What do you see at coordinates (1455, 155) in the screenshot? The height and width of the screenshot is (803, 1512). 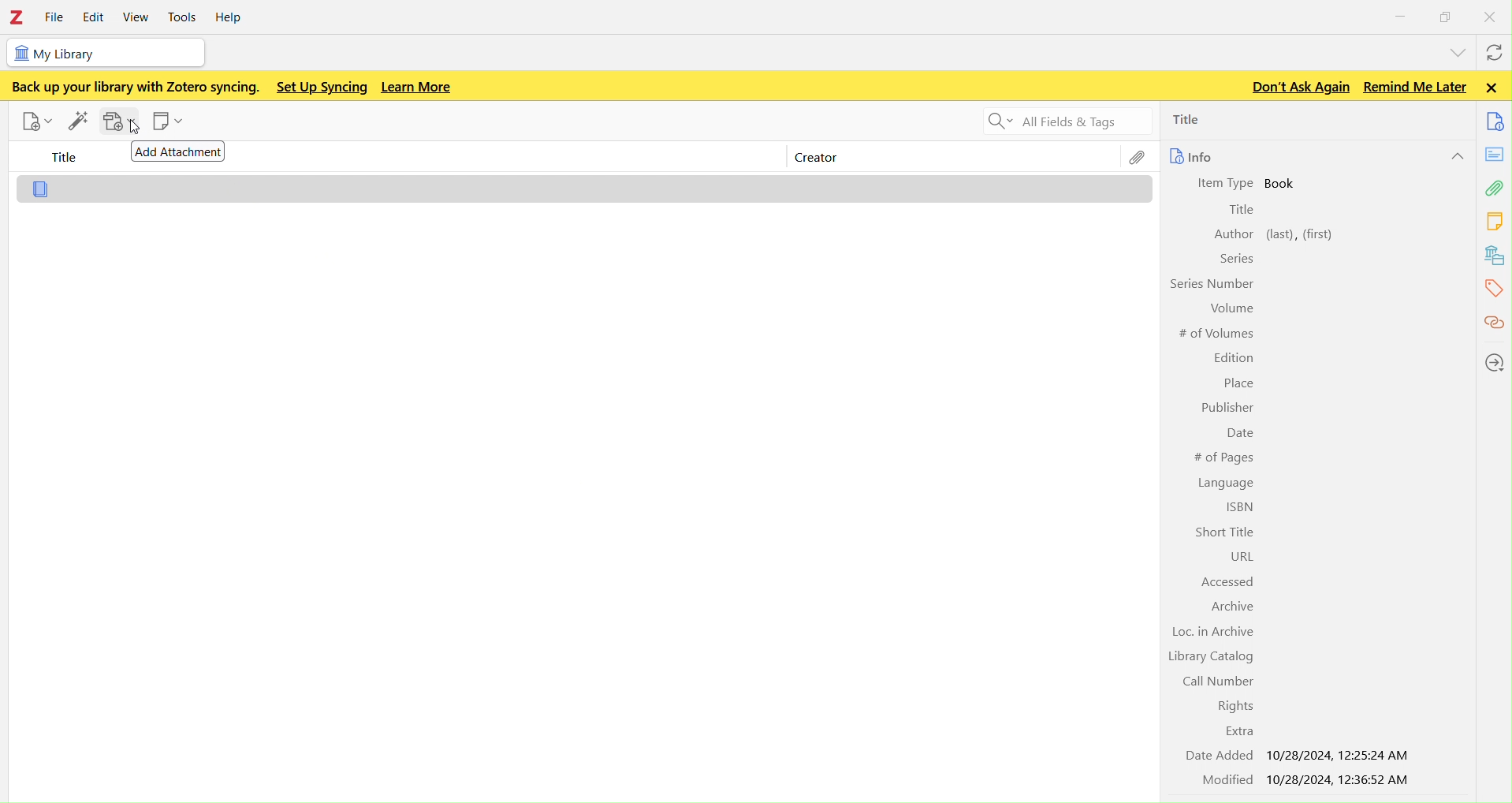 I see `hide` at bounding box center [1455, 155].